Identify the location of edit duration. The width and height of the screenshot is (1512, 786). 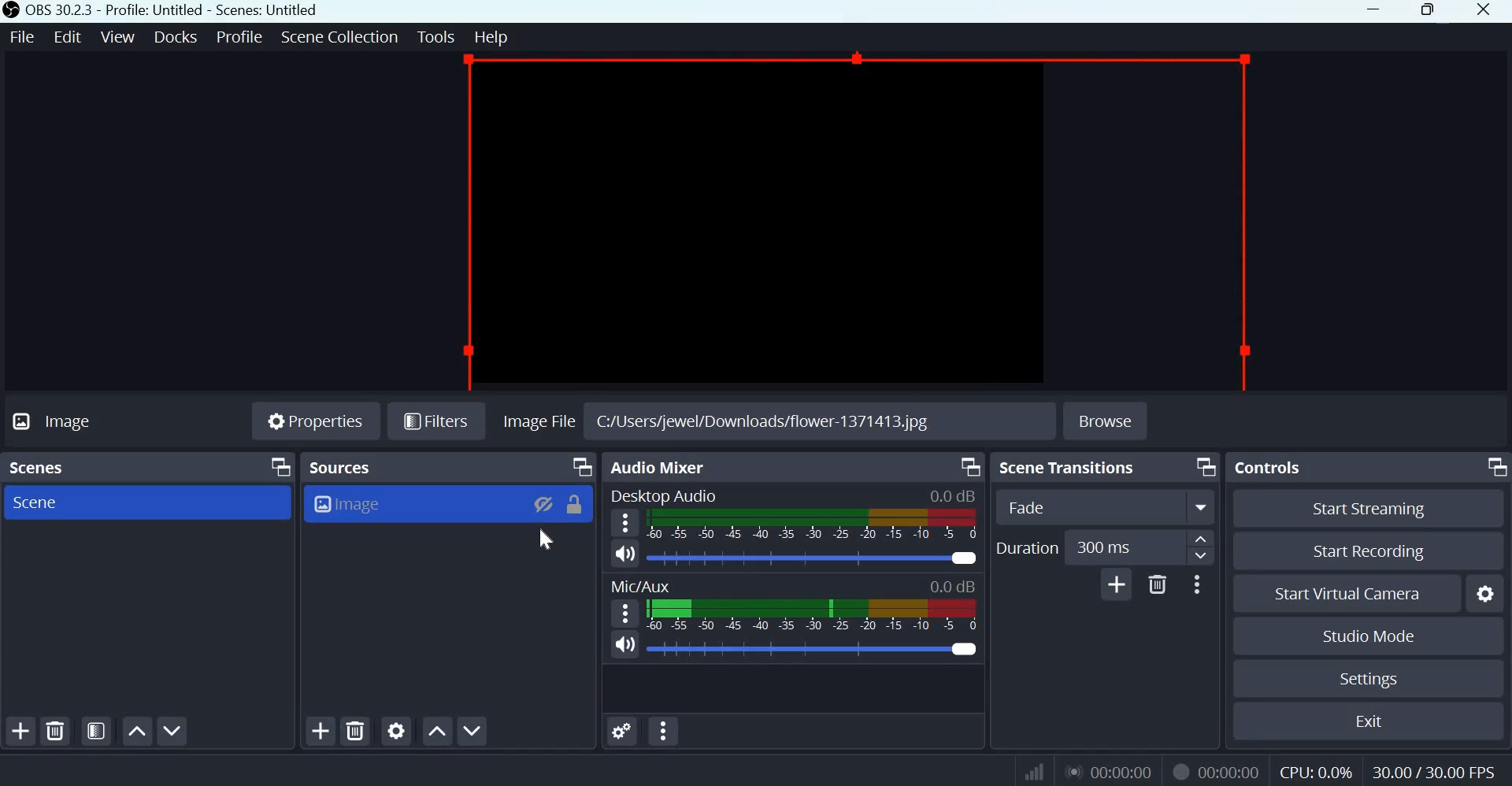
(1117, 547).